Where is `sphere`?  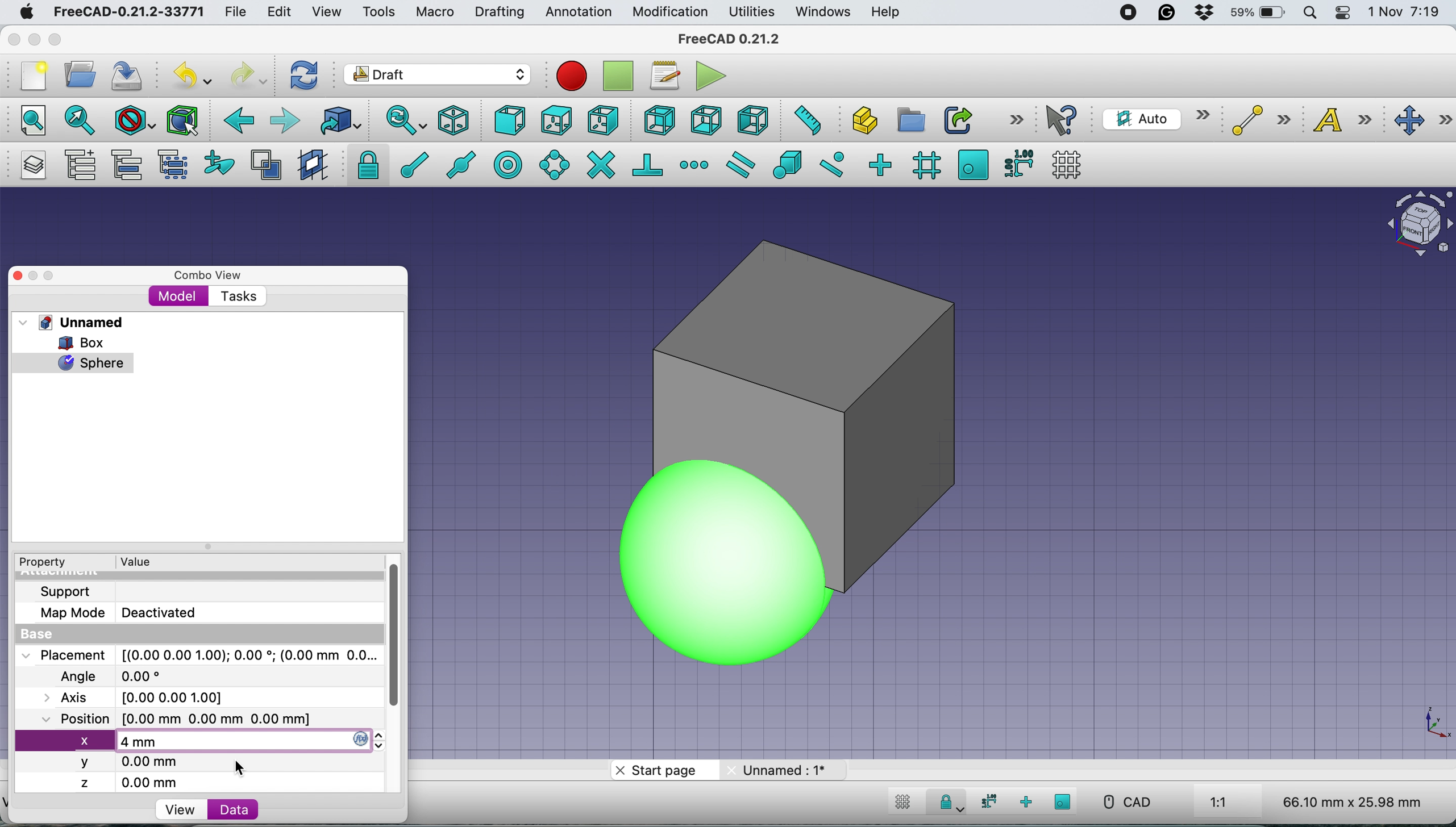 sphere is located at coordinates (643, 531).